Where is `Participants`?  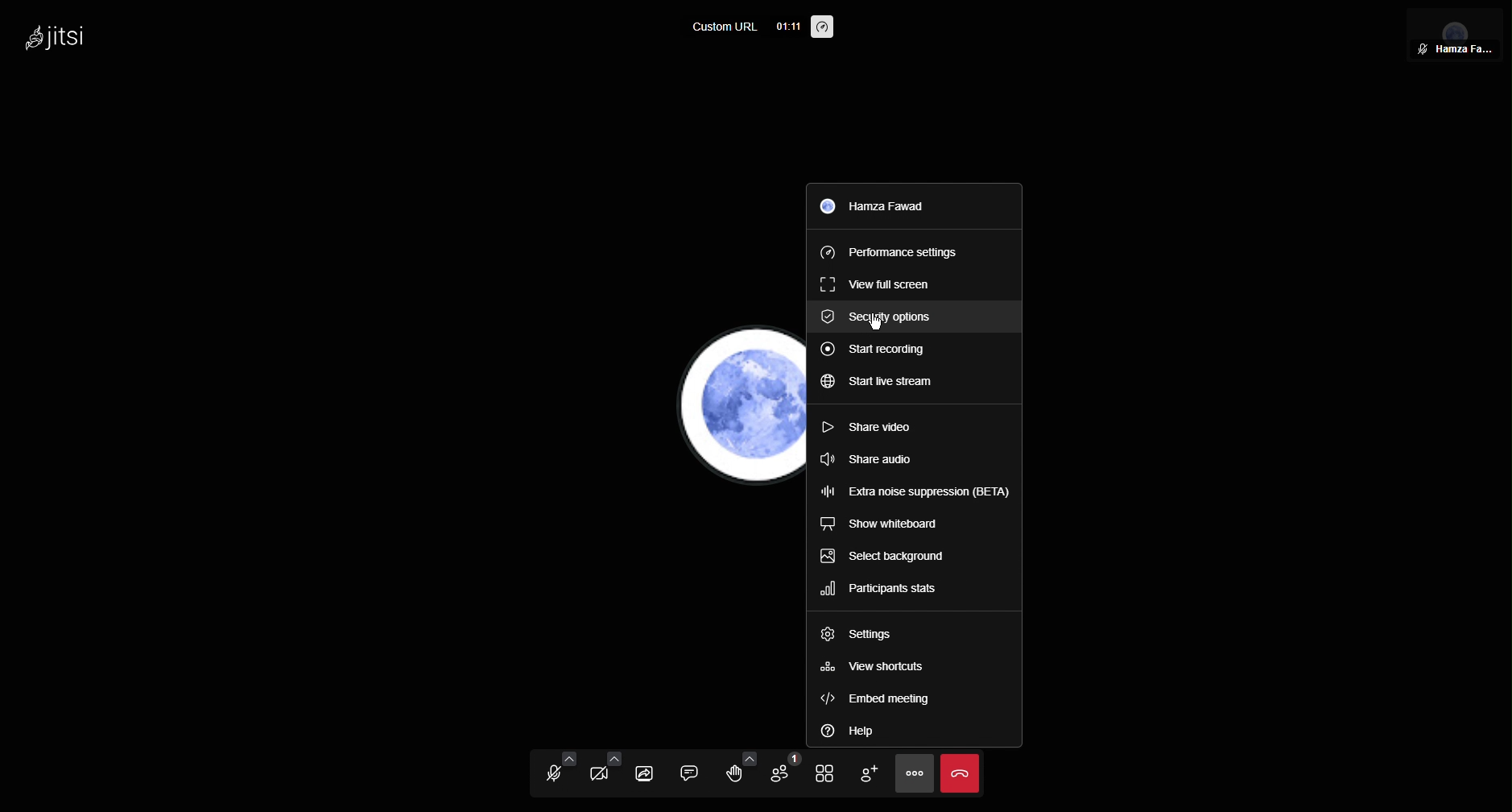
Participants is located at coordinates (788, 774).